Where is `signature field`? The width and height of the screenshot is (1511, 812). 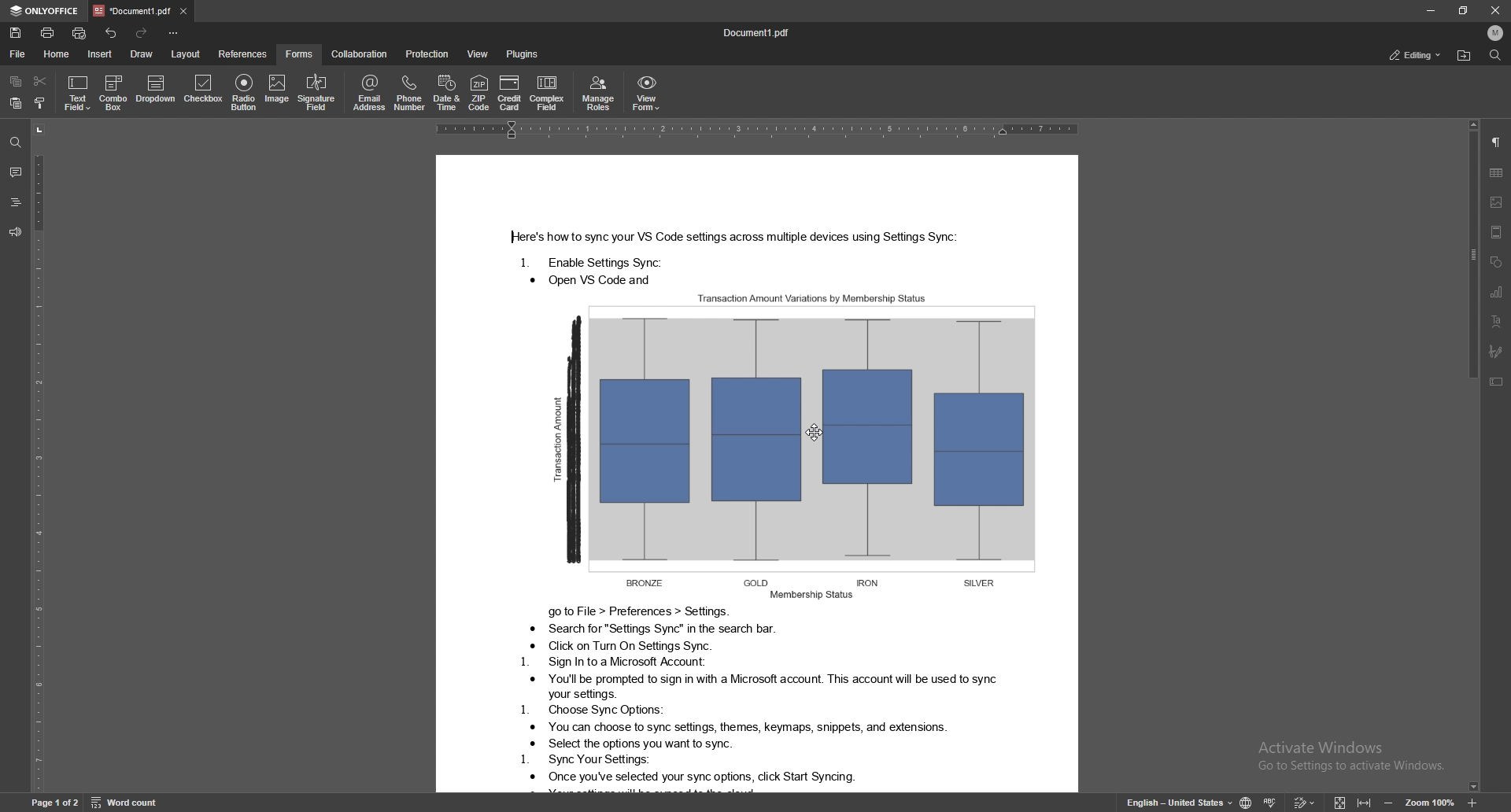
signature field is located at coordinates (316, 94).